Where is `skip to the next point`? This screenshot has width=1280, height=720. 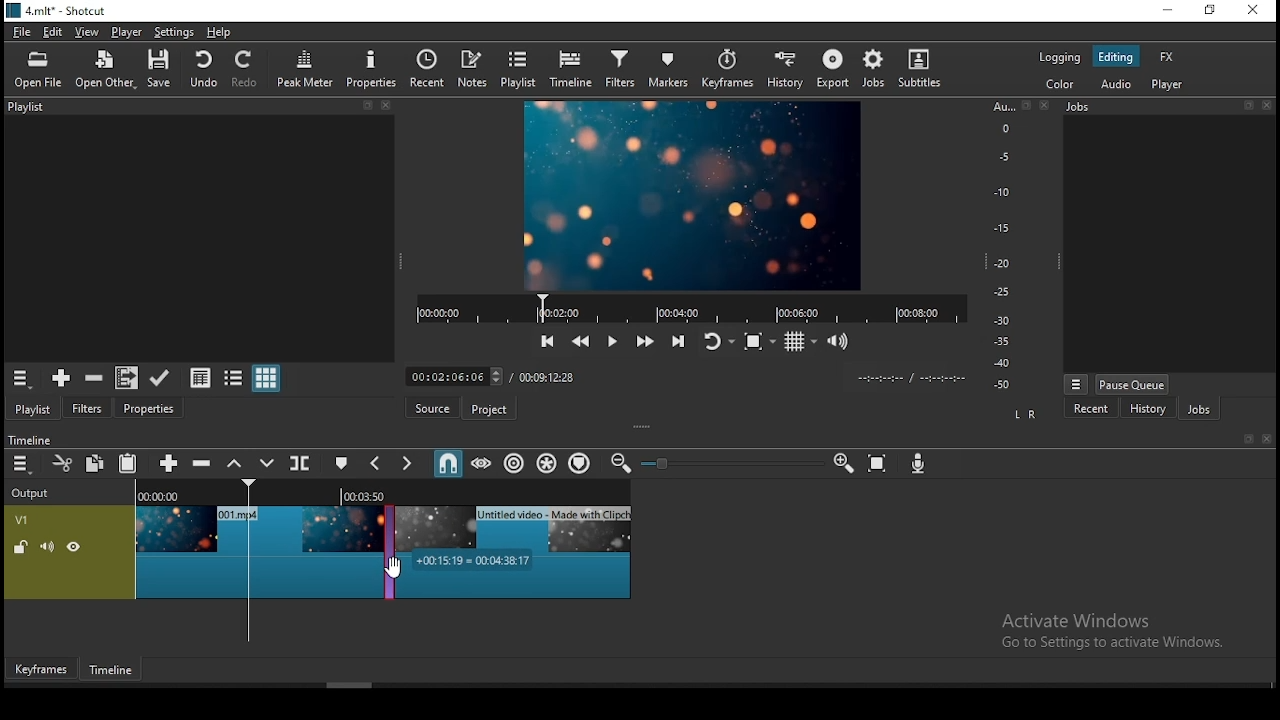
skip to the next point is located at coordinates (679, 342).